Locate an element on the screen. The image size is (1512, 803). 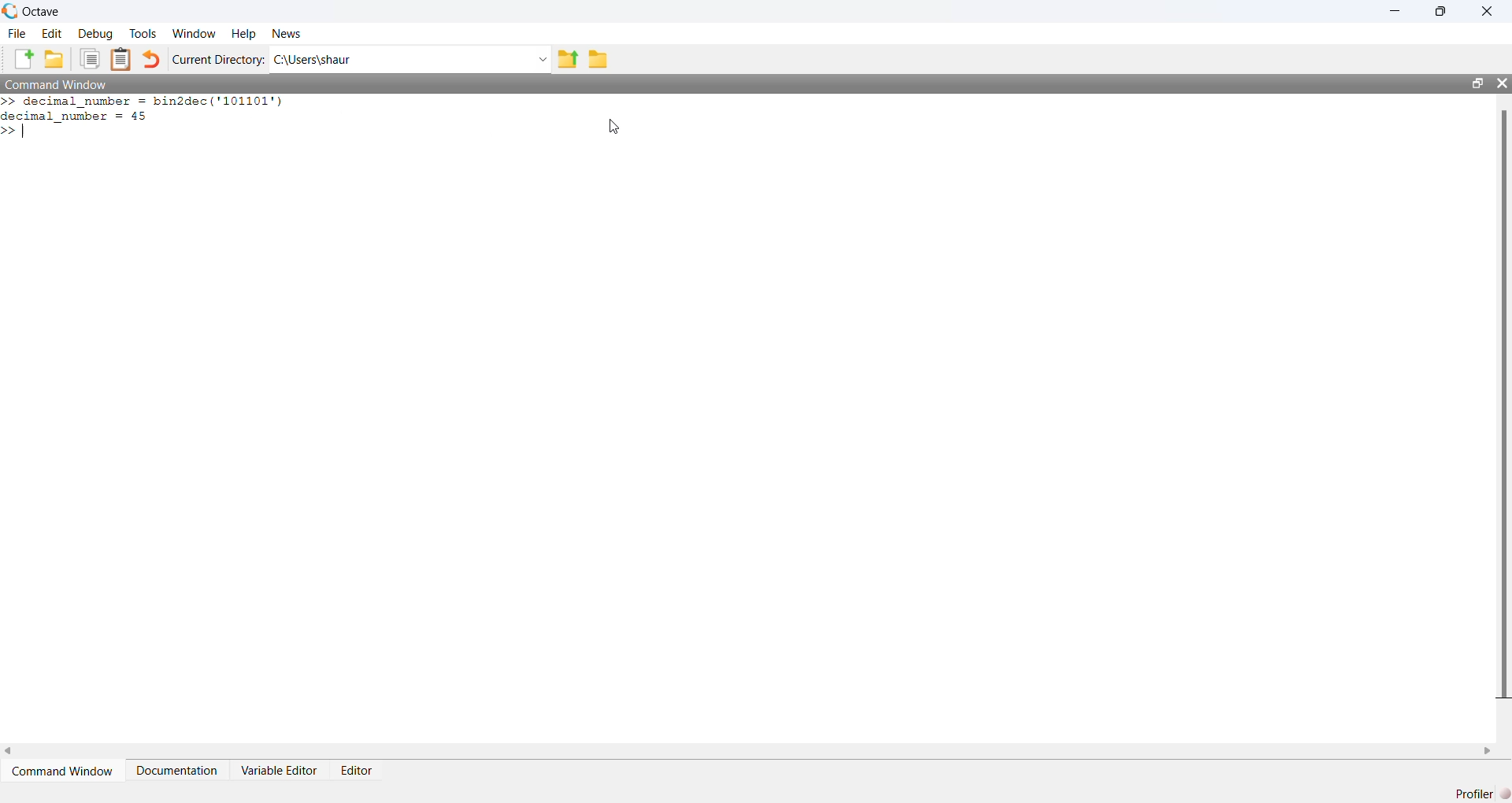
C:\Users\shaur is located at coordinates (313, 60).